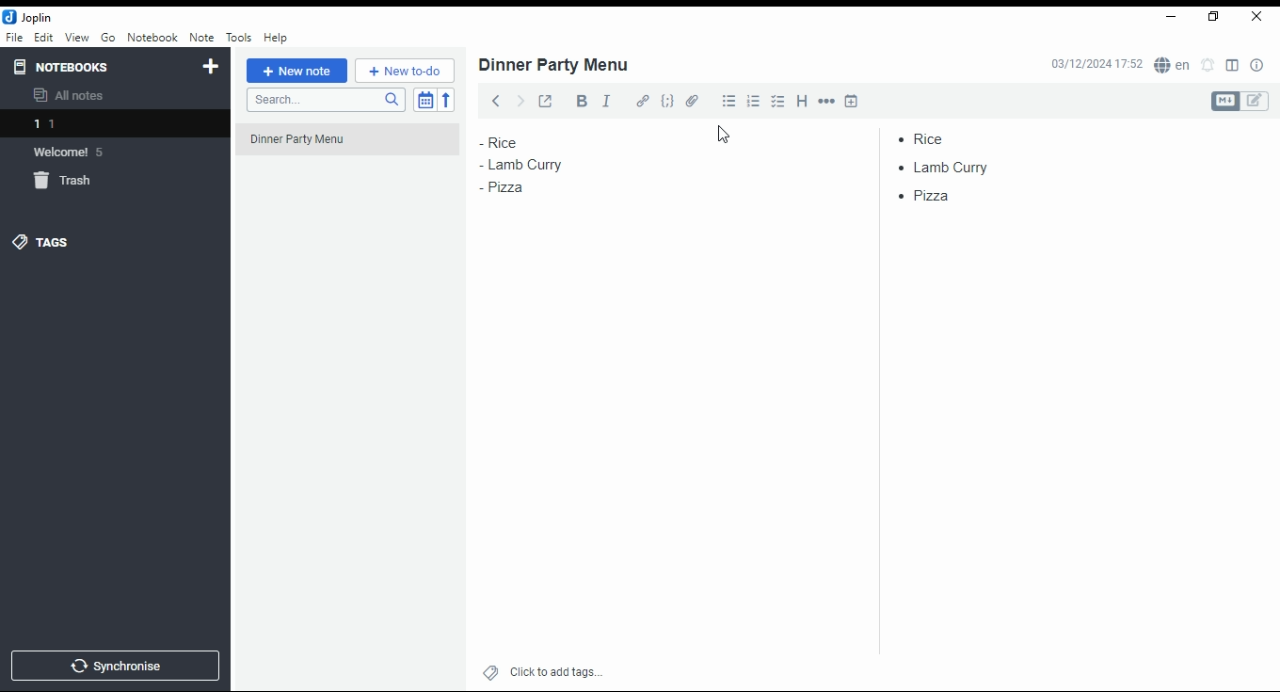  I want to click on notebook, so click(152, 37).